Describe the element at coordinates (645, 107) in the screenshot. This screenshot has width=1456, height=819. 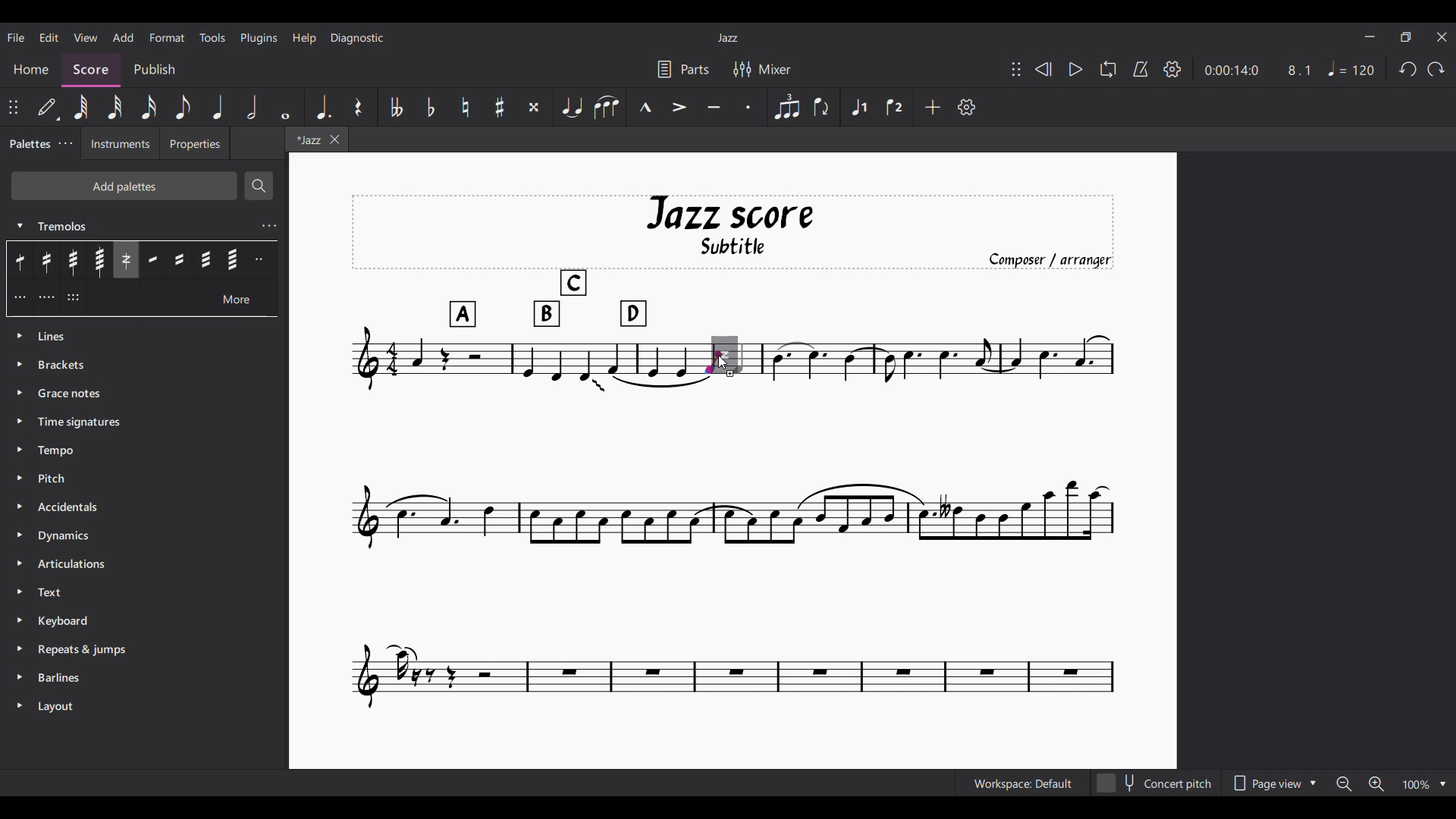
I see `Marcato` at that location.